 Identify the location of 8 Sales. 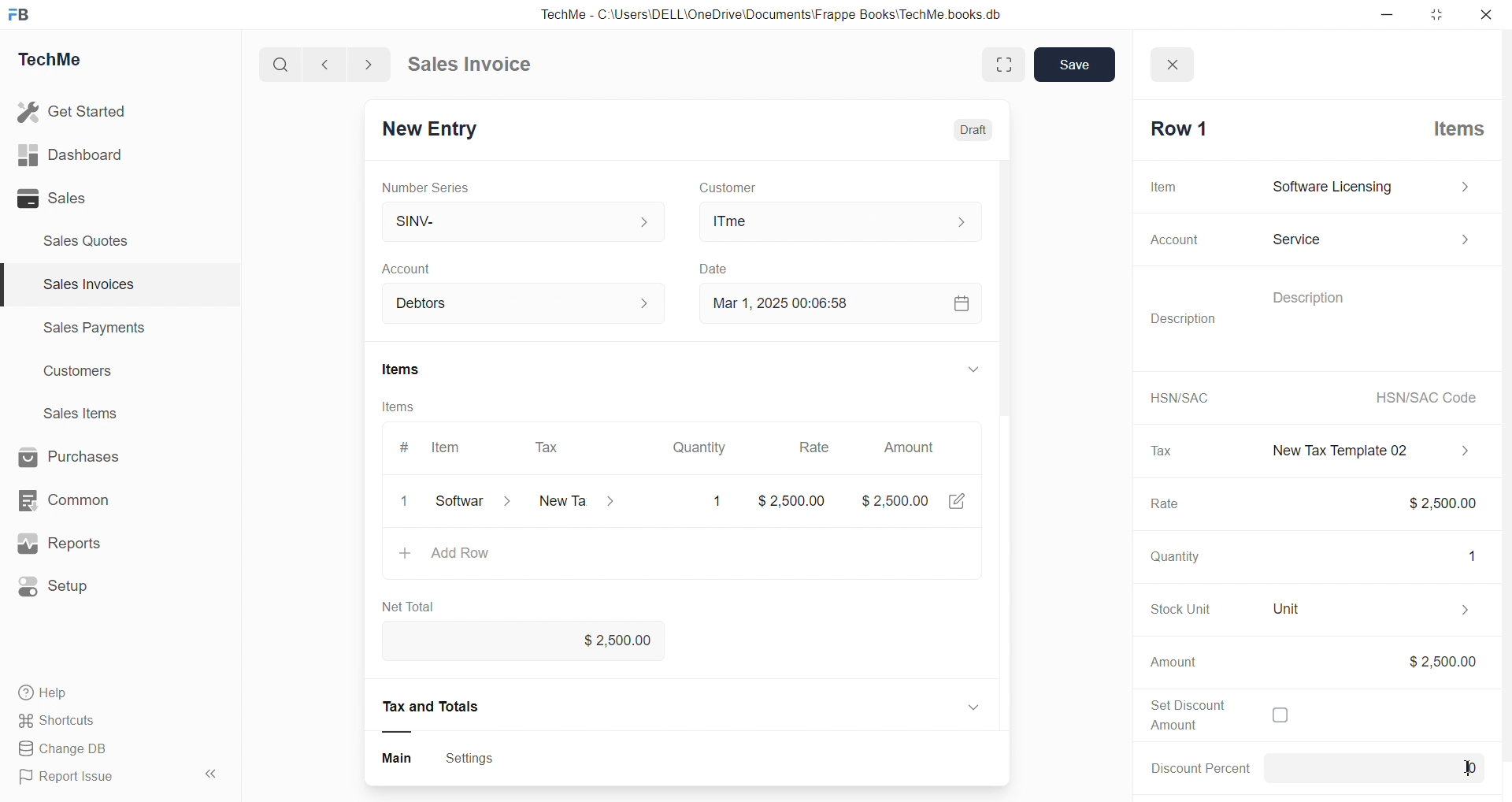
(55, 198).